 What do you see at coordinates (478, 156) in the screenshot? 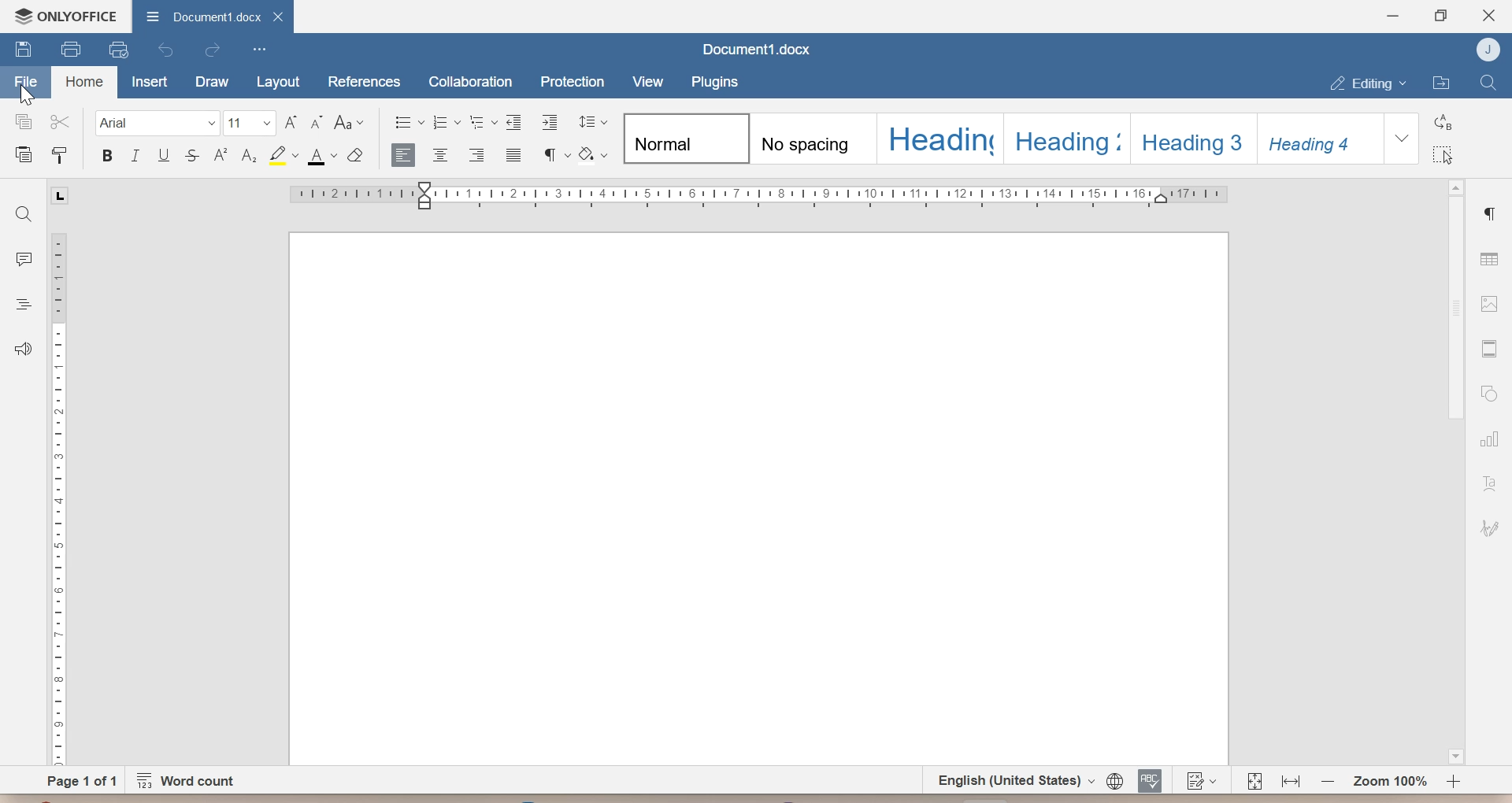
I see `align right` at bounding box center [478, 156].